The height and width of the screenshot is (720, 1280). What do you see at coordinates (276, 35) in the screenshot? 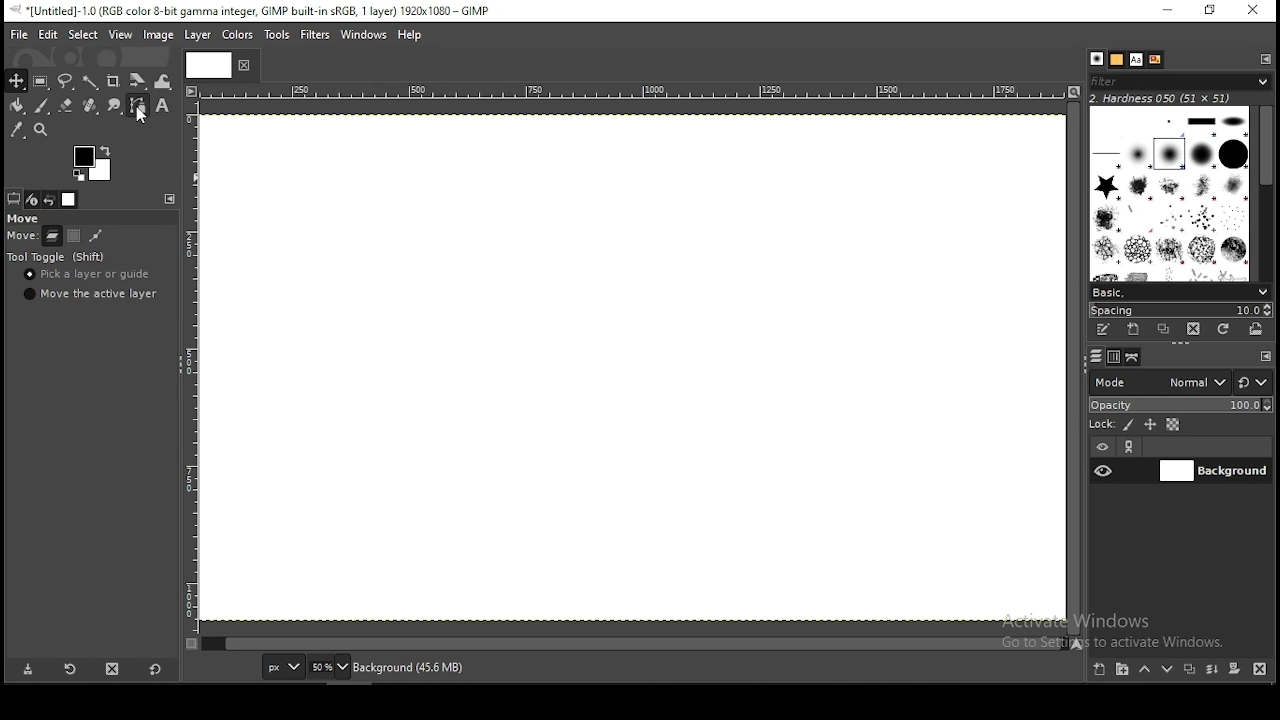
I see `tools` at bounding box center [276, 35].